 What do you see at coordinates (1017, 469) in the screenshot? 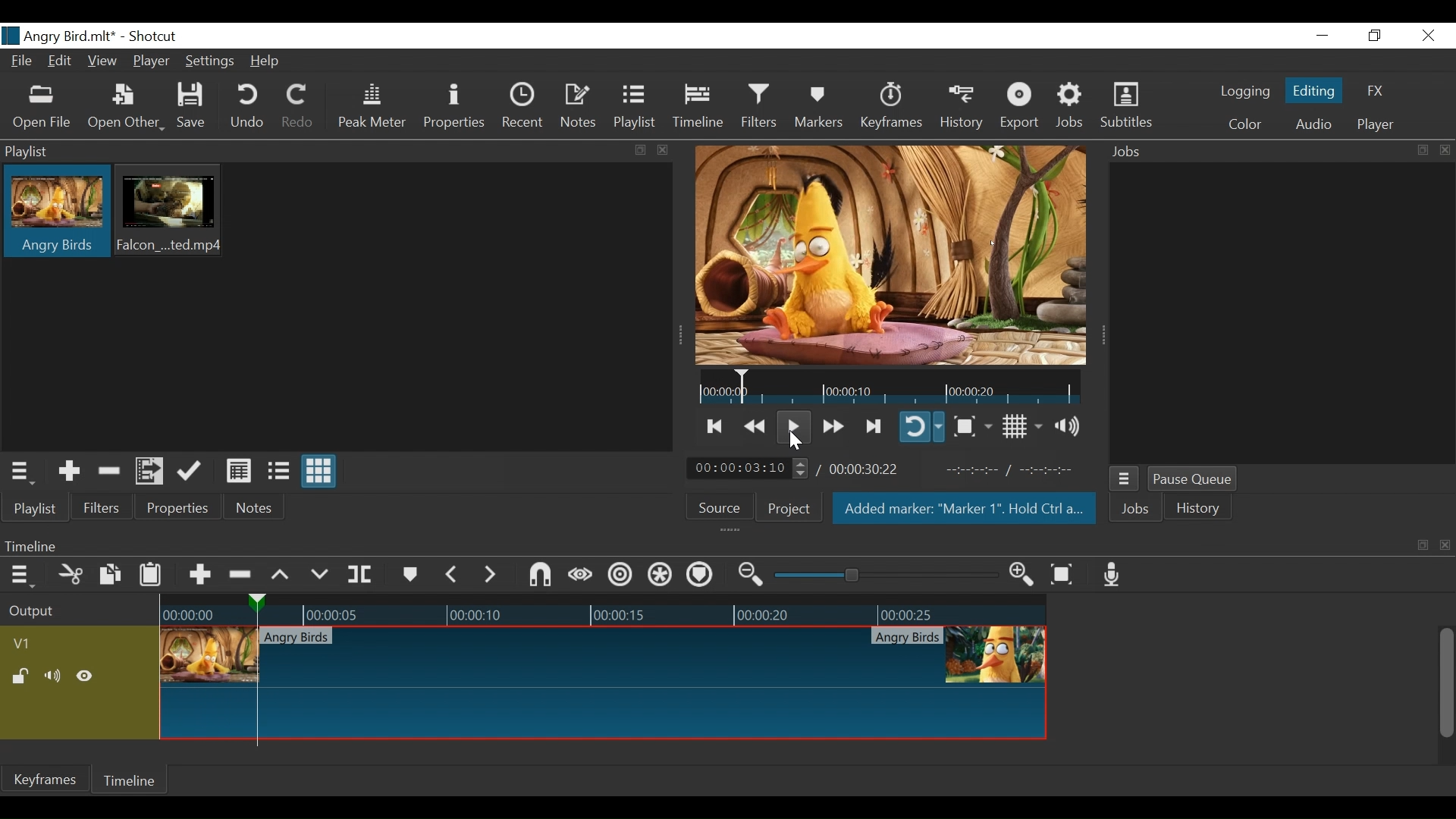
I see `In point` at bounding box center [1017, 469].